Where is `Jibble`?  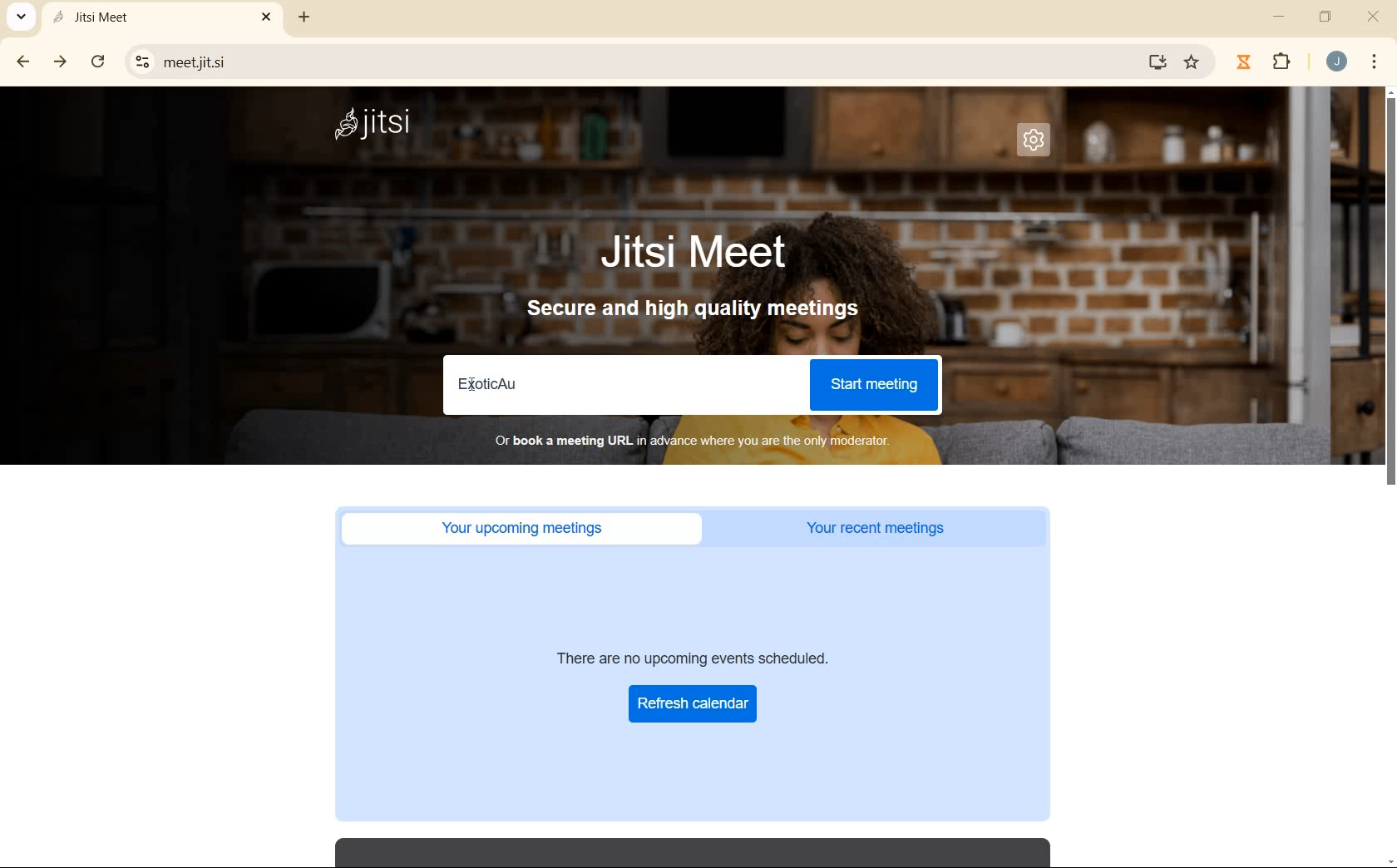
Jibble is located at coordinates (1242, 61).